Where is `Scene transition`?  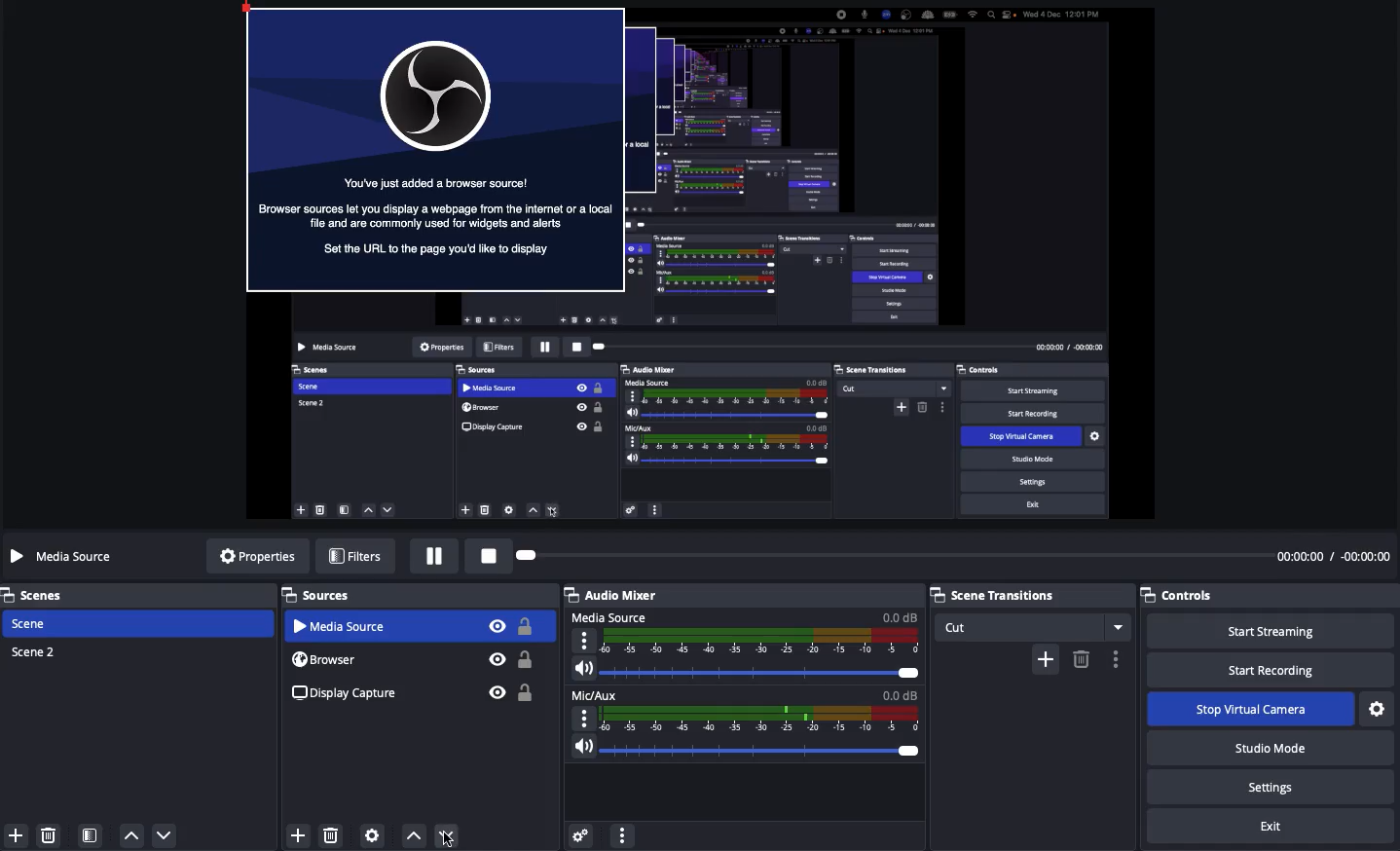
Scene transition is located at coordinates (1030, 593).